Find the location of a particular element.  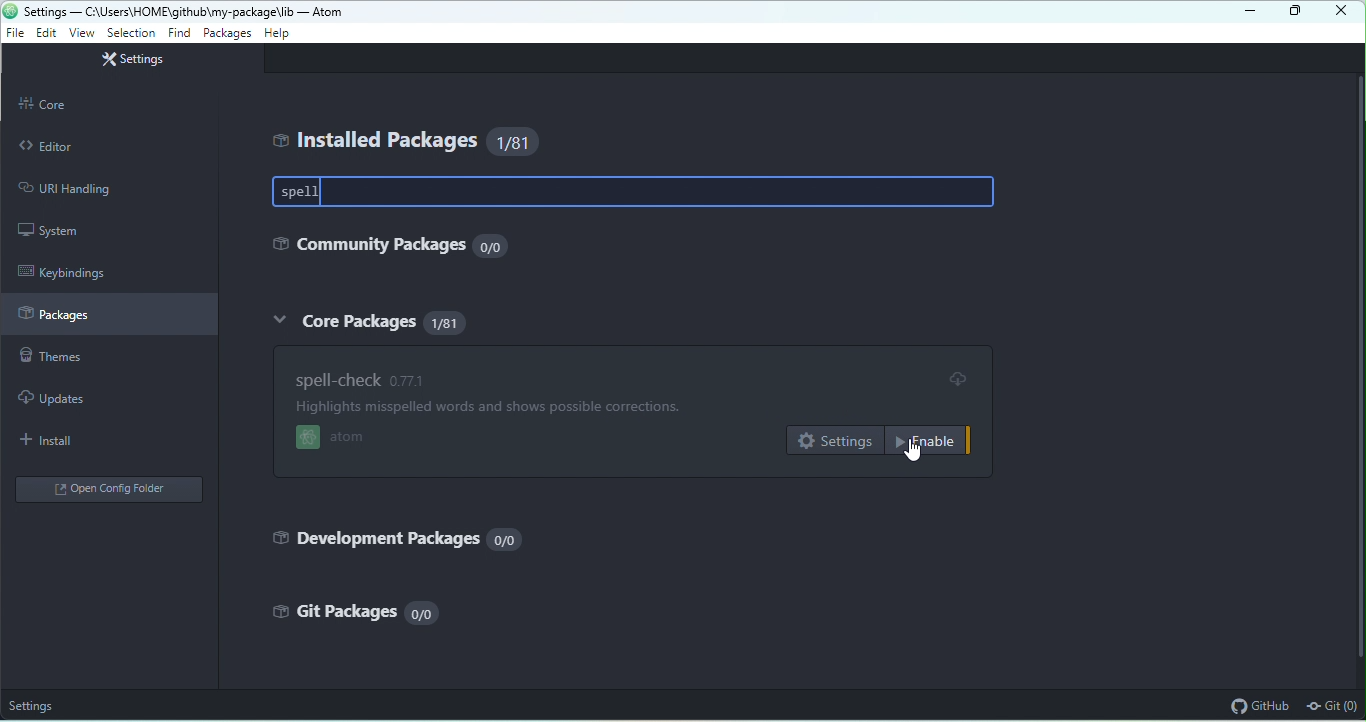

Highlights misspelled words and shows possible corrections. is located at coordinates (504, 409).